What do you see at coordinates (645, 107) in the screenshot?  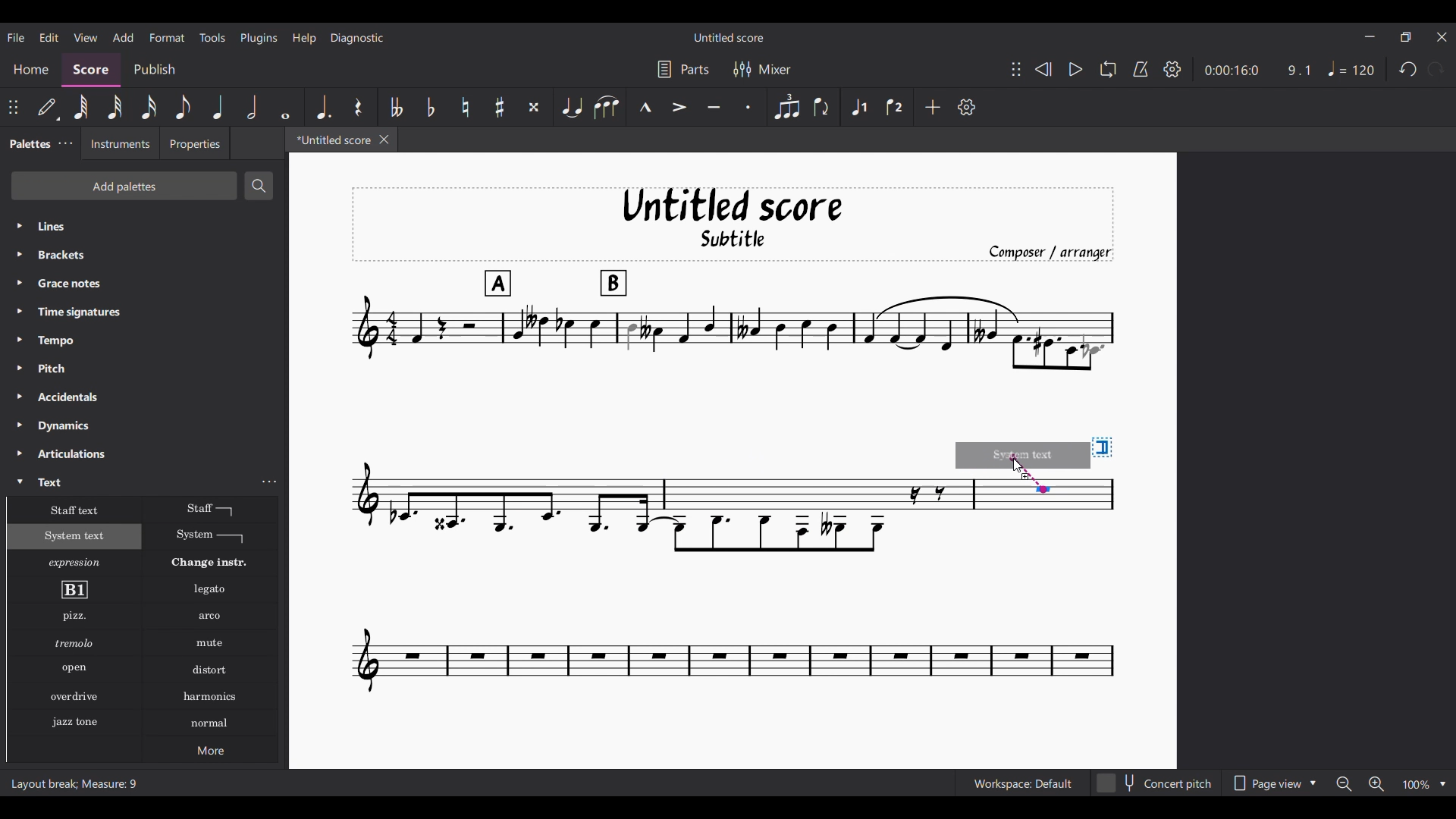 I see `Marcato` at bounding box center [645, 107].